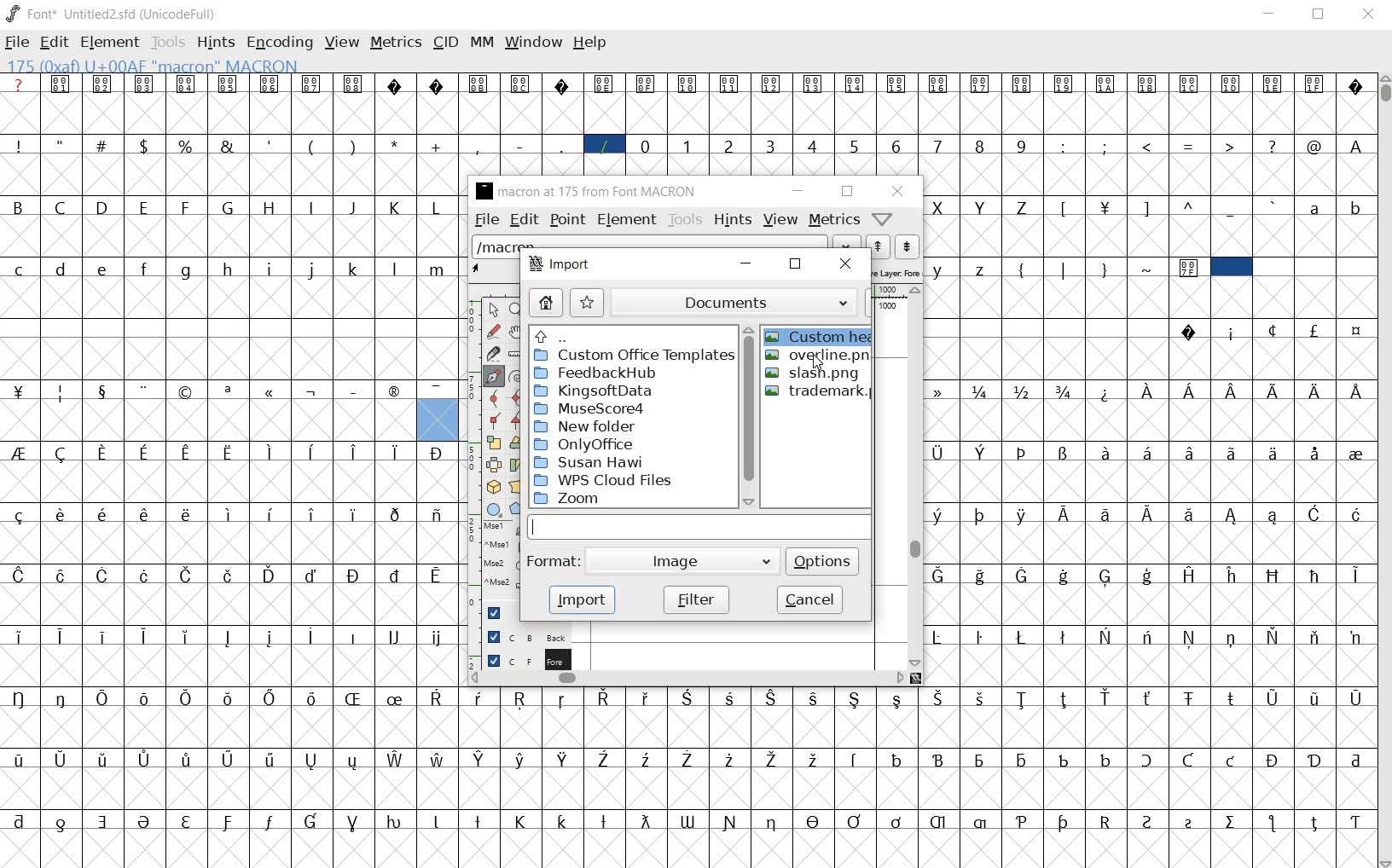 Image resolution: width=1392 pixels, height=868 pixels. Describe the element at coordinates (106, 635) in the screenshot. I see `Symbol` at that location.